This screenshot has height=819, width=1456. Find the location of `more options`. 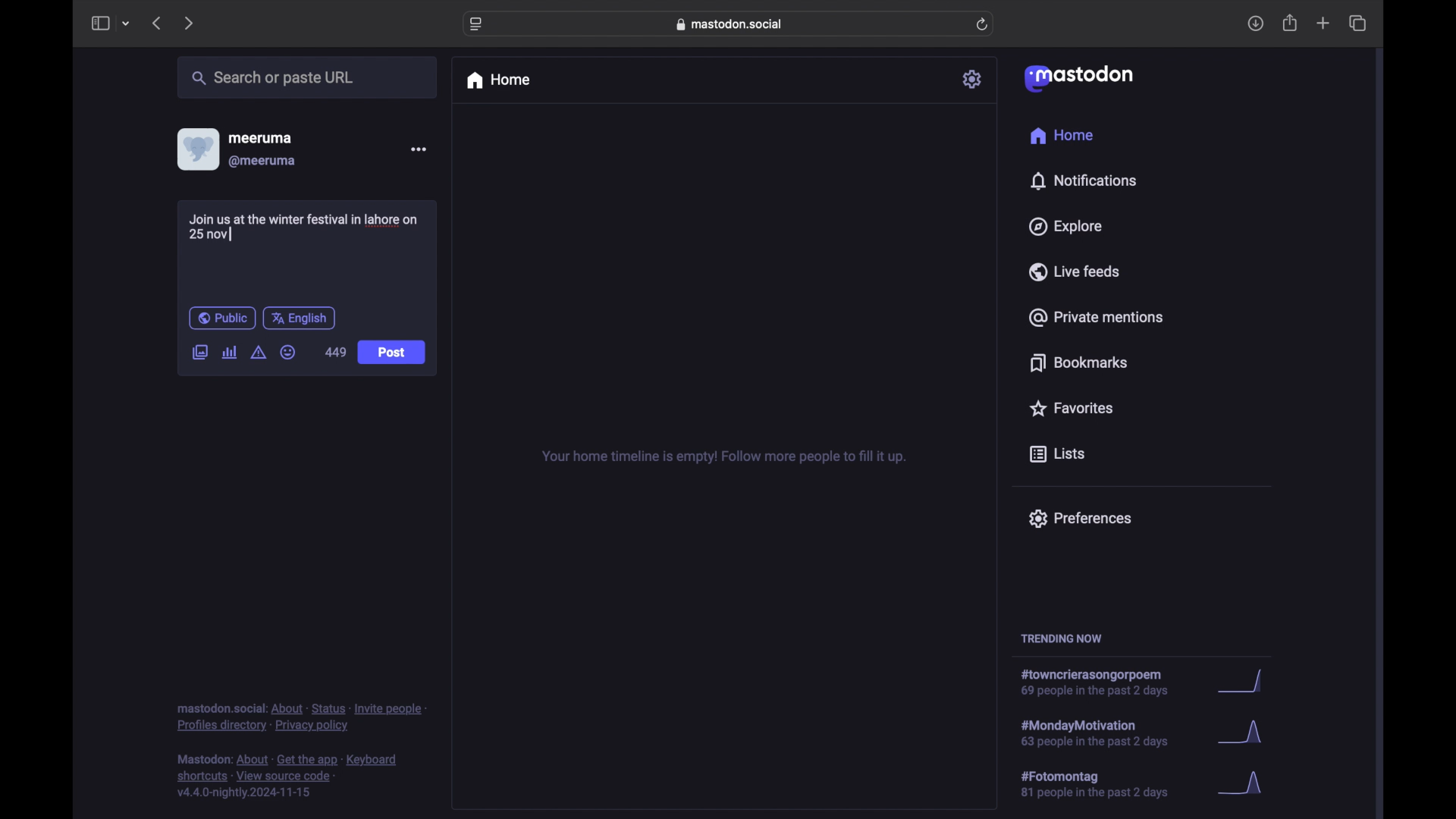

more options is located at coordinates (419, 149).